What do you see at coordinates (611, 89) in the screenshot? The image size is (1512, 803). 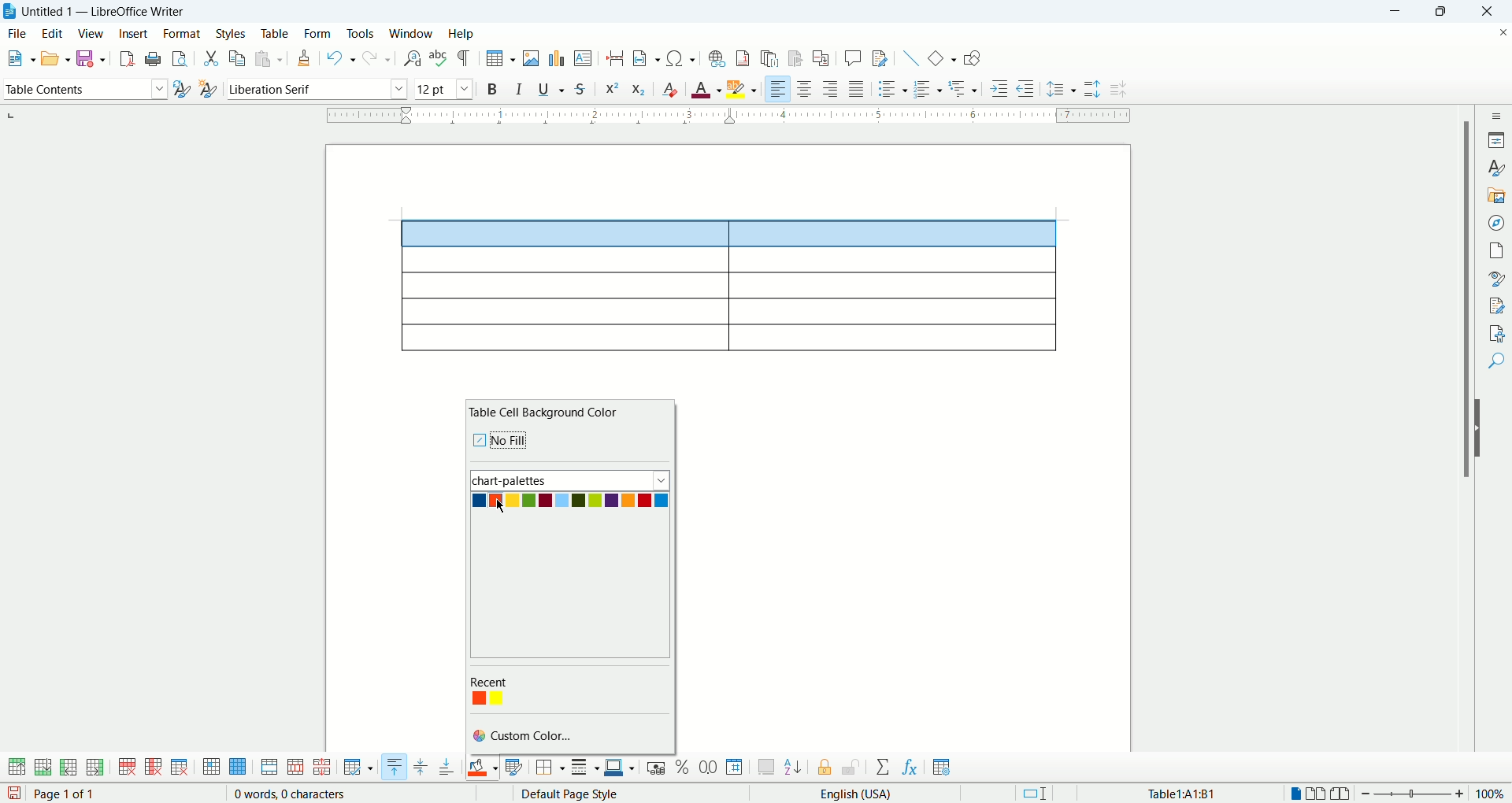 I see `superscript` at bounding box center [611, 89].